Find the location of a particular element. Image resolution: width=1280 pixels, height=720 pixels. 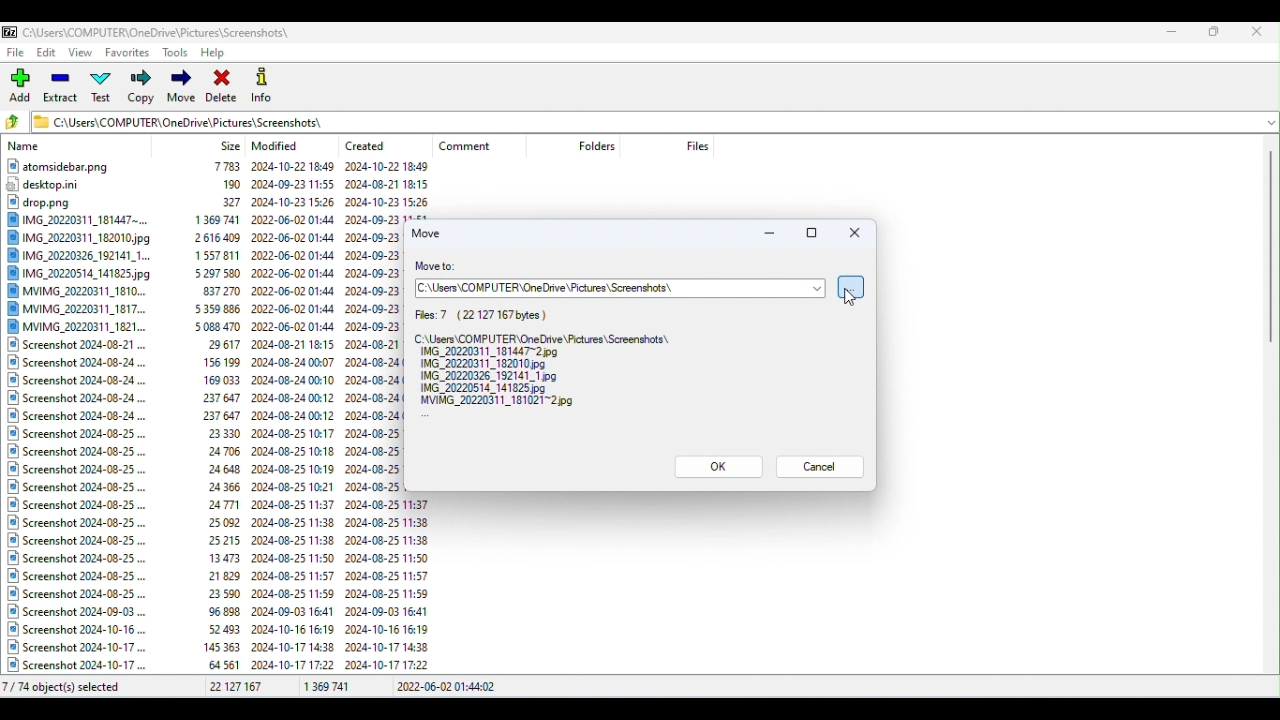

OK is located at coordinates (717, 466).